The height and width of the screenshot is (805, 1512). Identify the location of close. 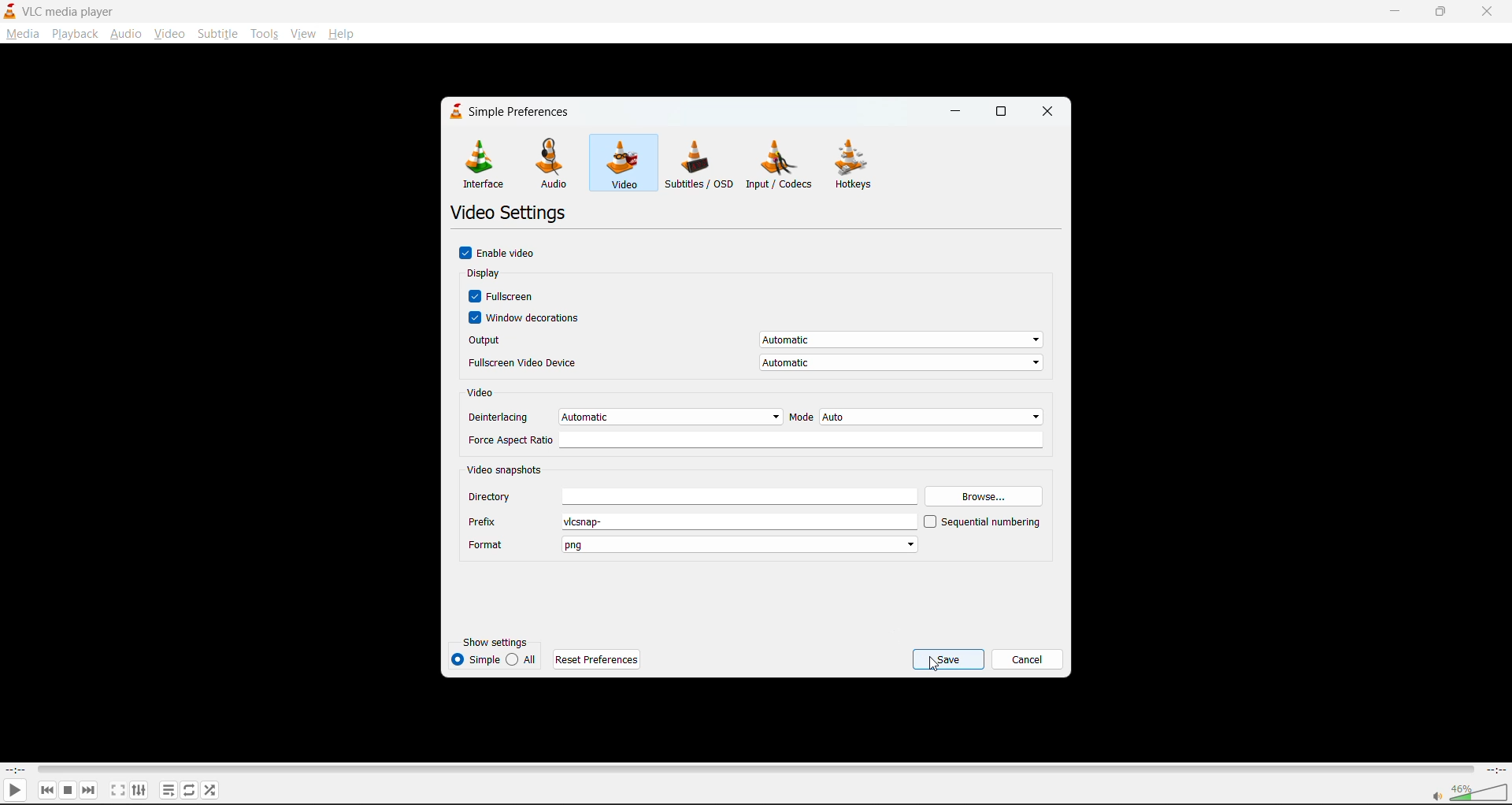
(1049, 113).